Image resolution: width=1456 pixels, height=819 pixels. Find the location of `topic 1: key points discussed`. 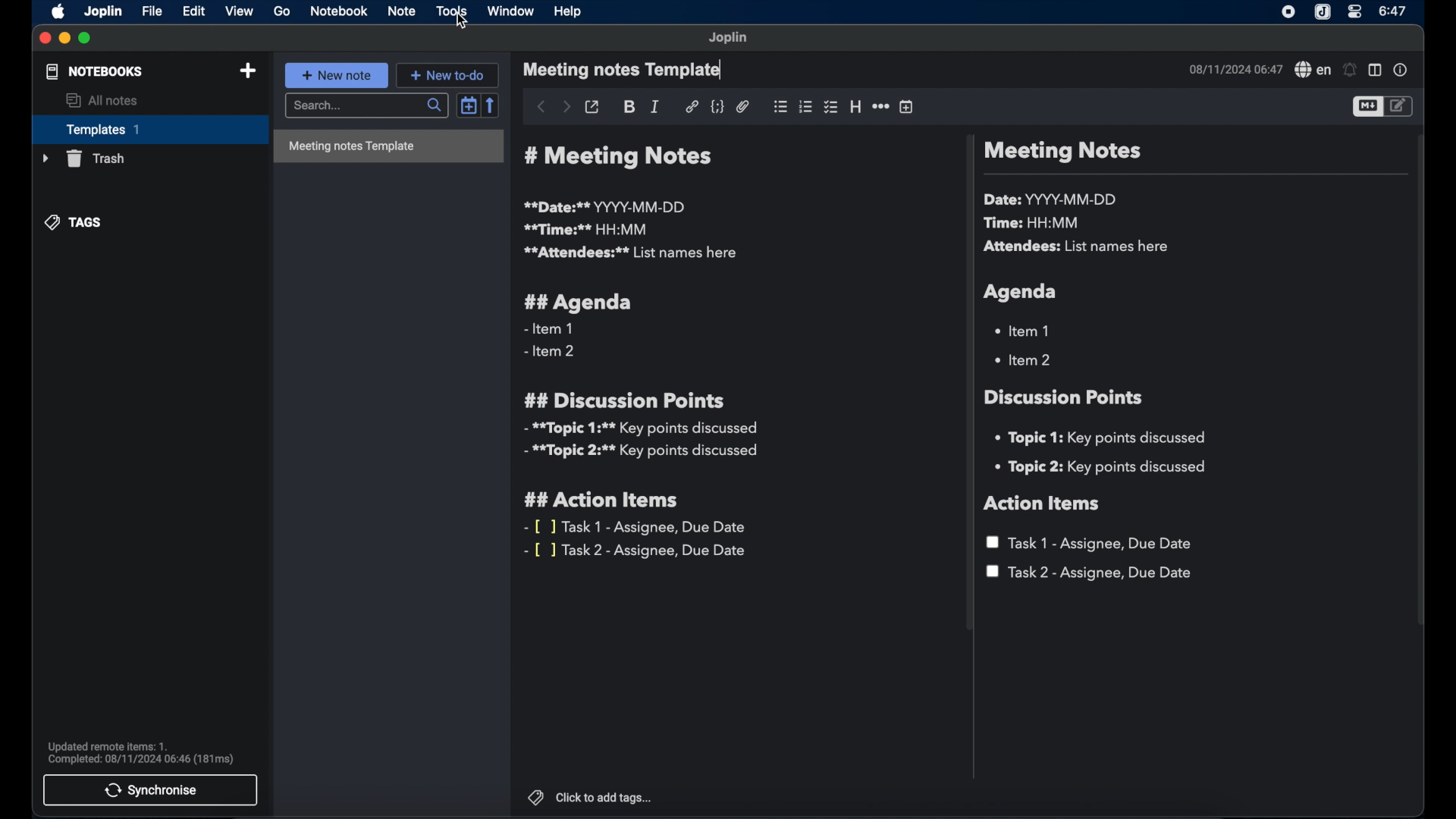

topic 1: key points discussed is located at coordinates (1106, 438).